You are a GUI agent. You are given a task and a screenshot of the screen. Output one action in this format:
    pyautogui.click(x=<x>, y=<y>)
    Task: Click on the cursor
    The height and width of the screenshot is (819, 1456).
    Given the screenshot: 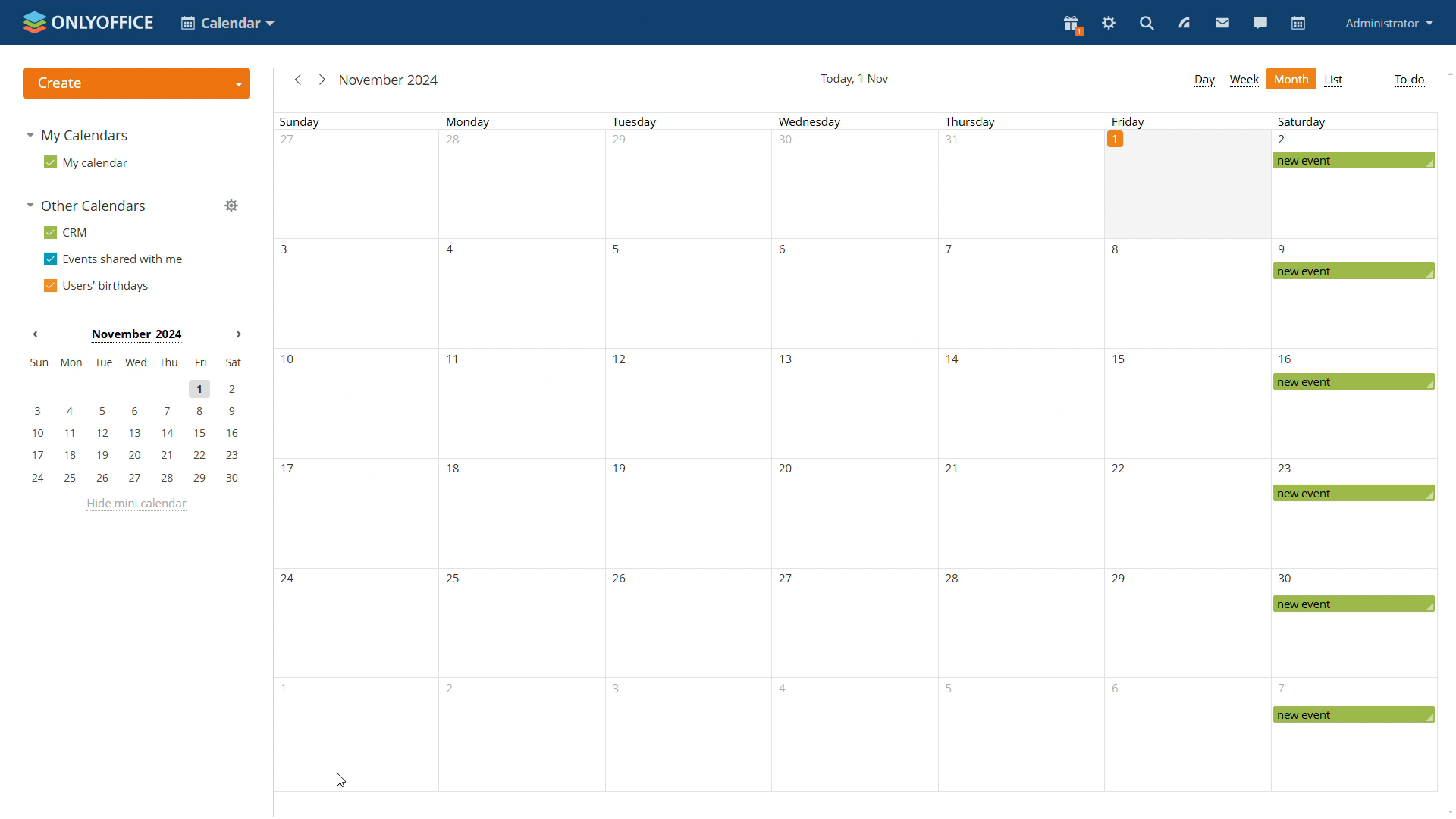 What is the action you would take?
    pyautogui.click(x=341, y=780)
    